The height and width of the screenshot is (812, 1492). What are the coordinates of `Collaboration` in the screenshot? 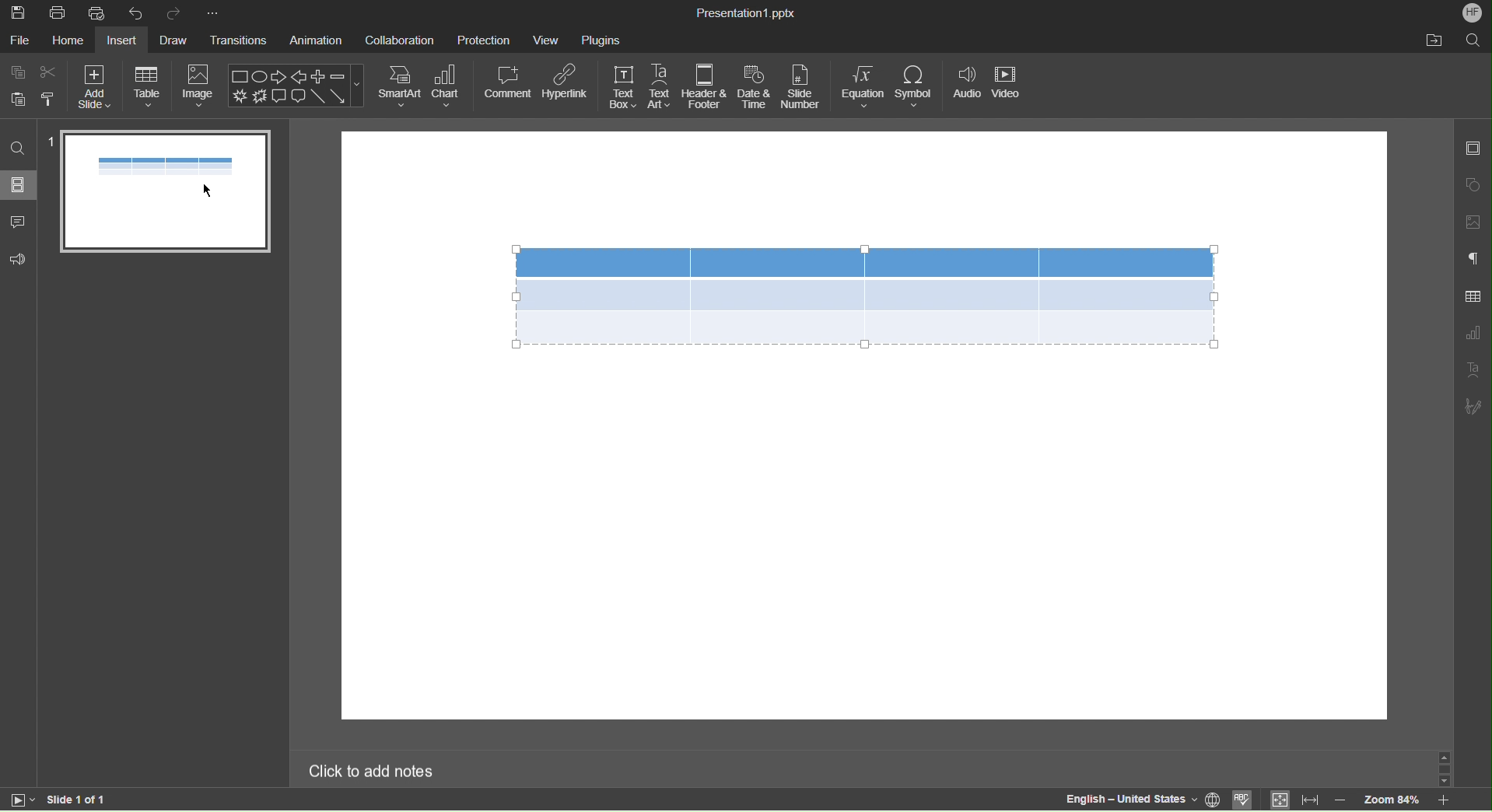 It's located at (398, 40).